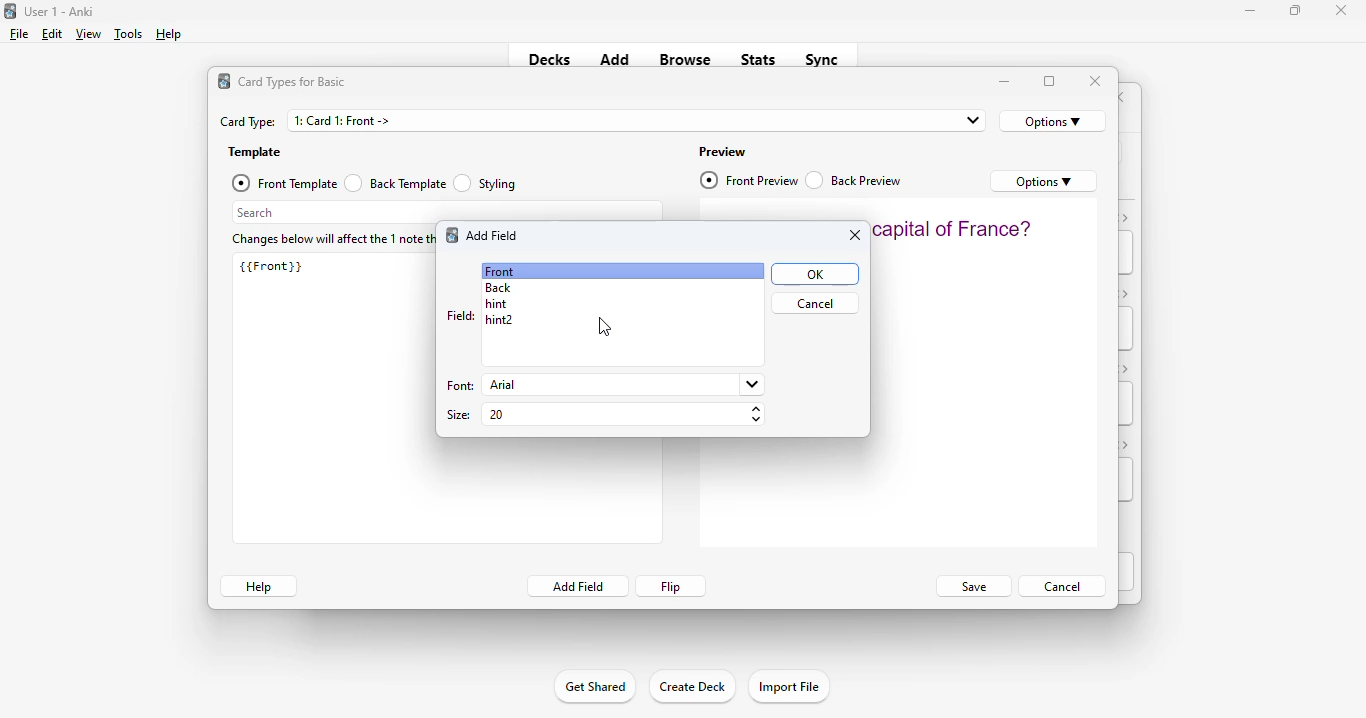 This screenshot has height=718, width=1366. What do you see at coordinates (1050, 82) in the screenshot?
I see `maximize` at bounding box center [1050, 82].